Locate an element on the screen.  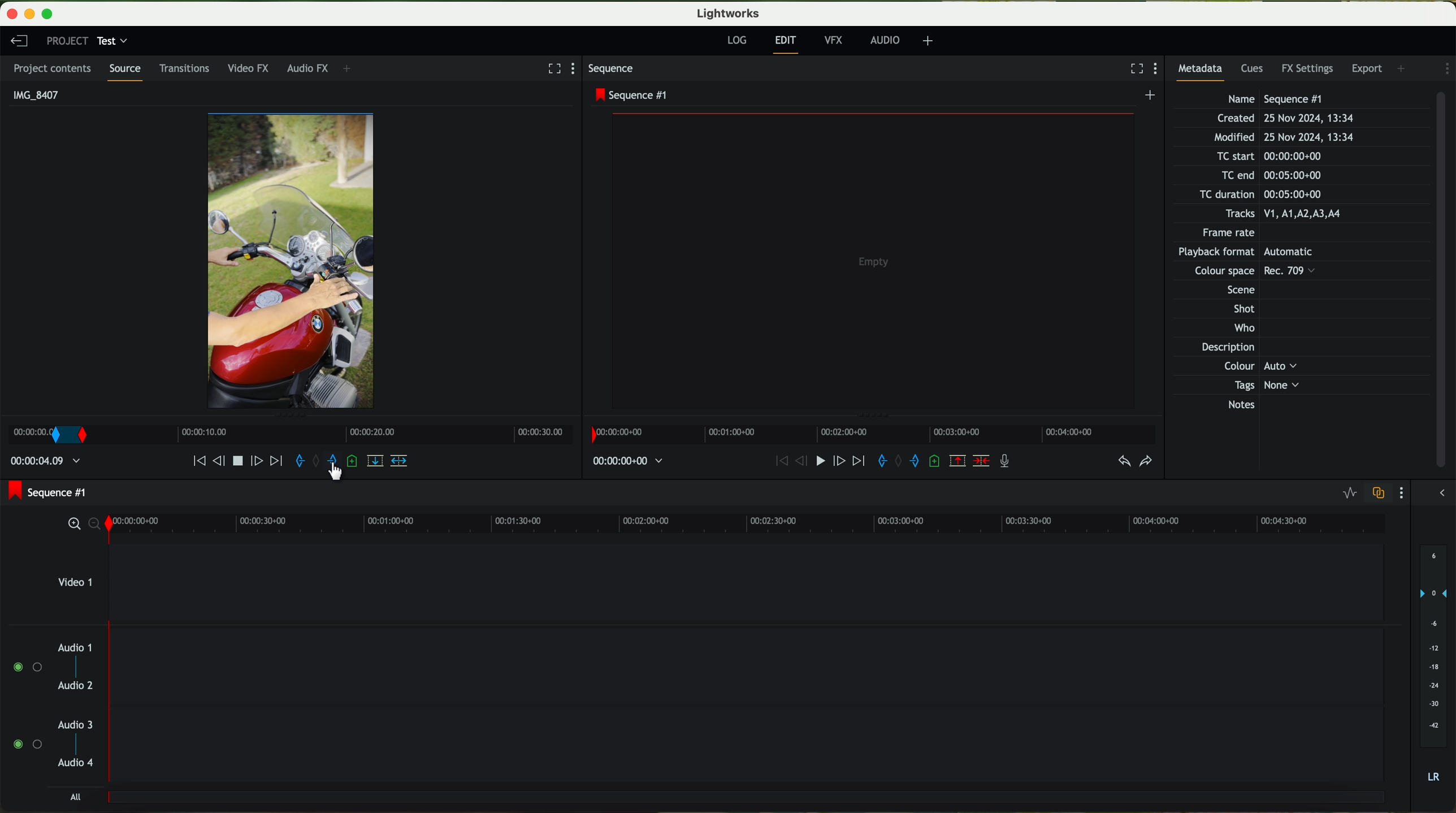
video preview is located at coordinates (873, 260).